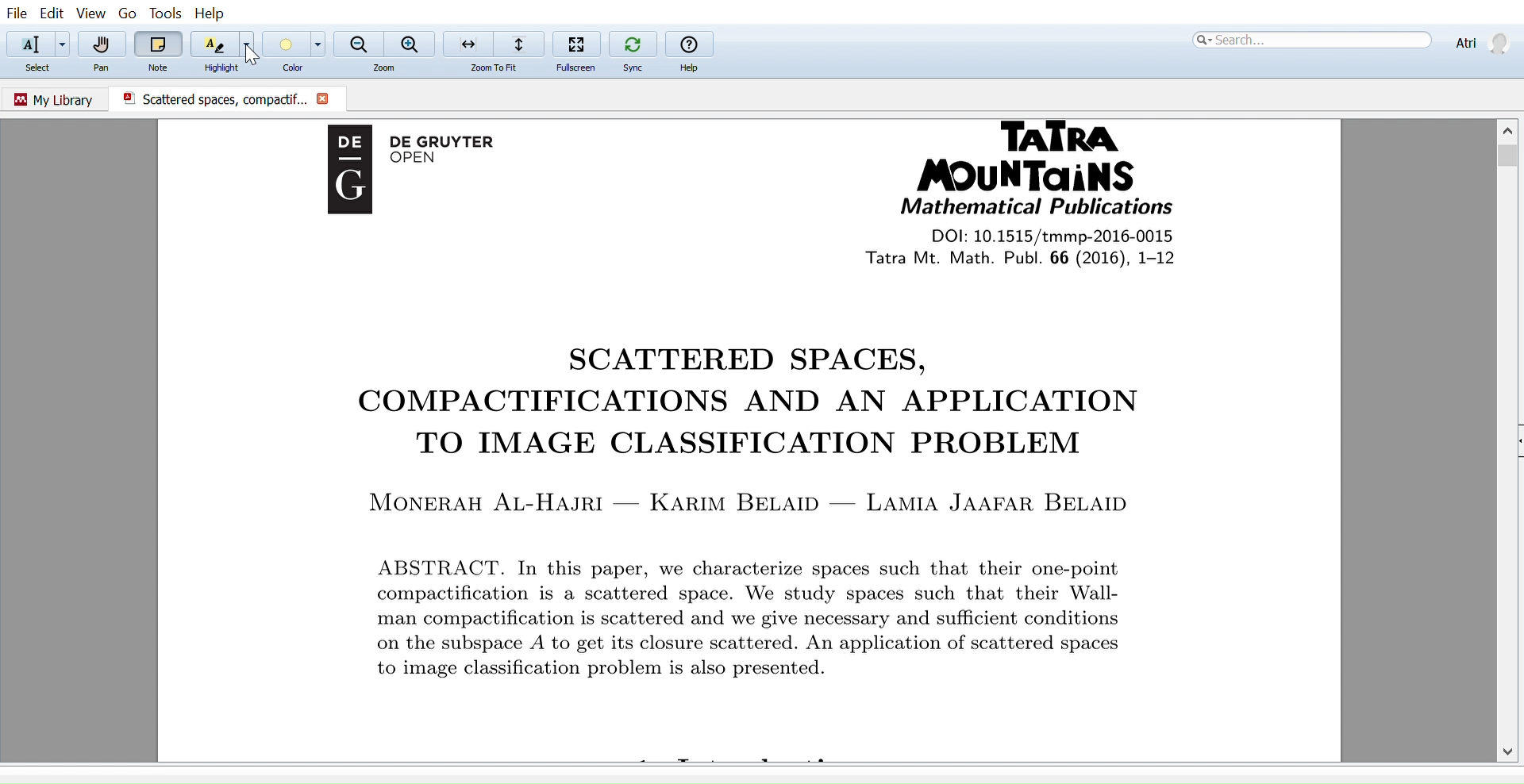 This screenshot has height=784, width=1524. I want to click on De Gruyter OPEN, so click(458, 153).